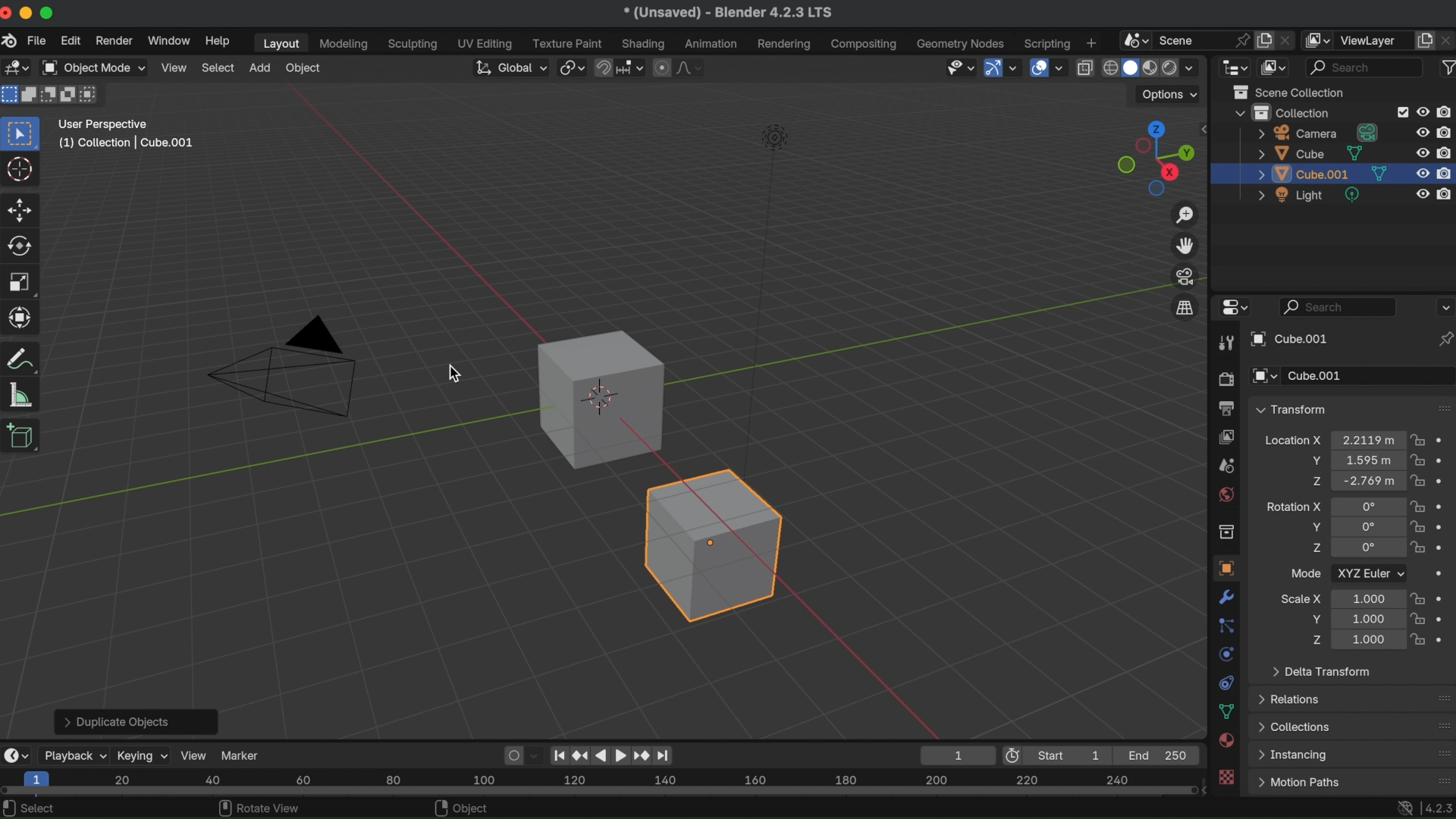 The image size is (1456, 819). Describe the element at coordinates (567, 43) in the screenshot. I see `texture paint` at that location.